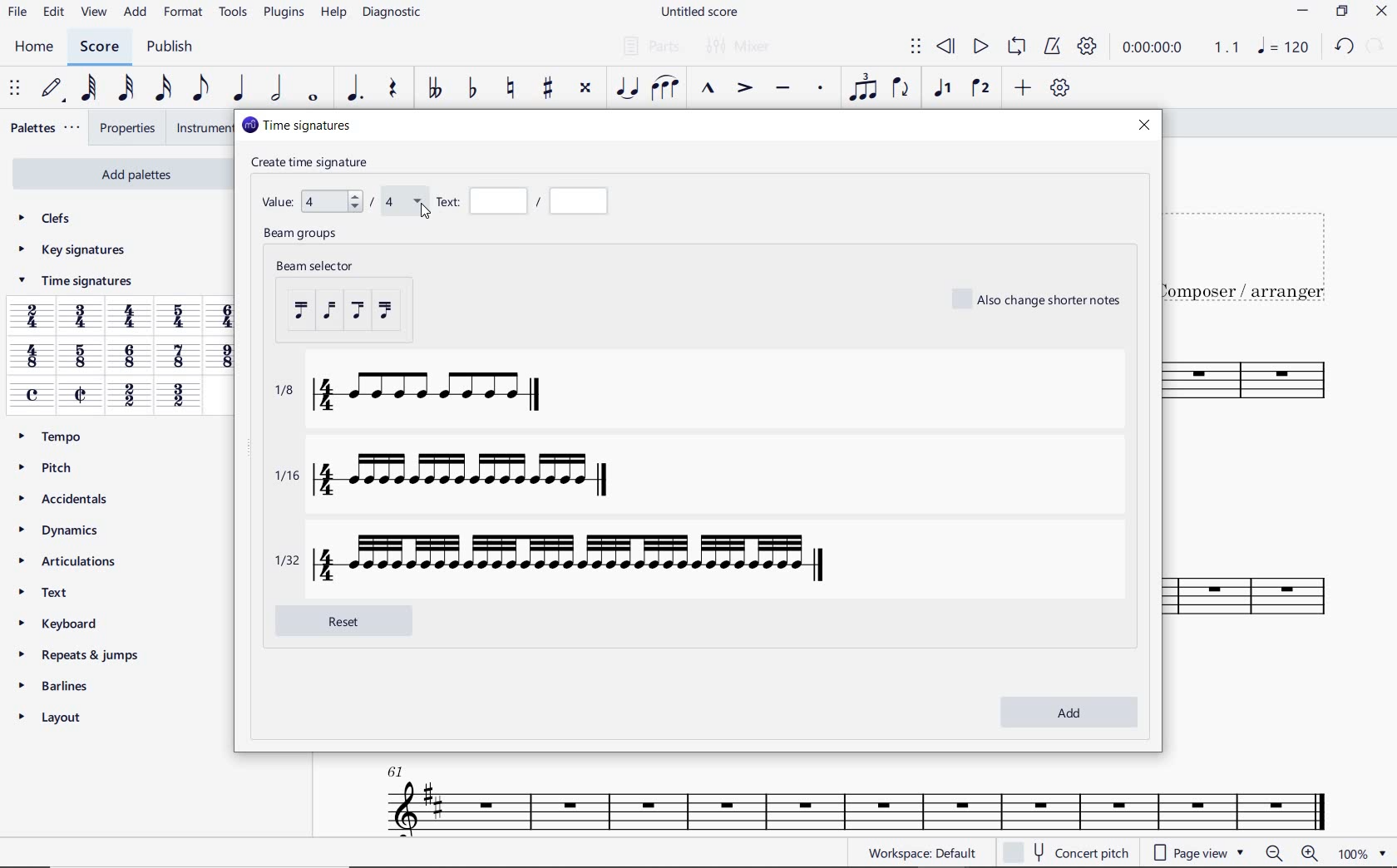 Image resolution: width=1397 pixels, height=868 pixels. I want to click on 6/4, so click(227, 316).